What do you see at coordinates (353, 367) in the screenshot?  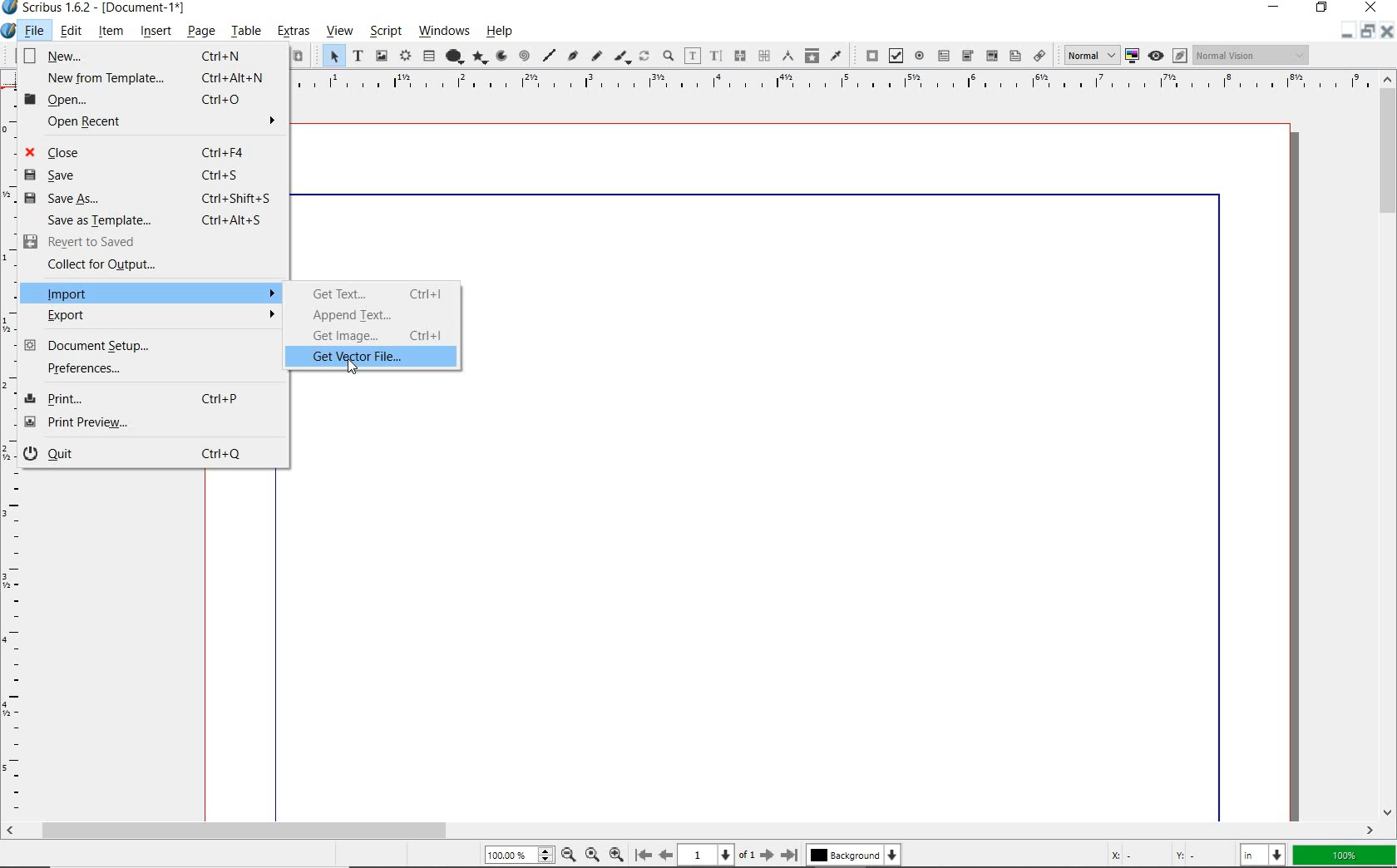 I see `Cursor Position` at bounding box center [353, 367].